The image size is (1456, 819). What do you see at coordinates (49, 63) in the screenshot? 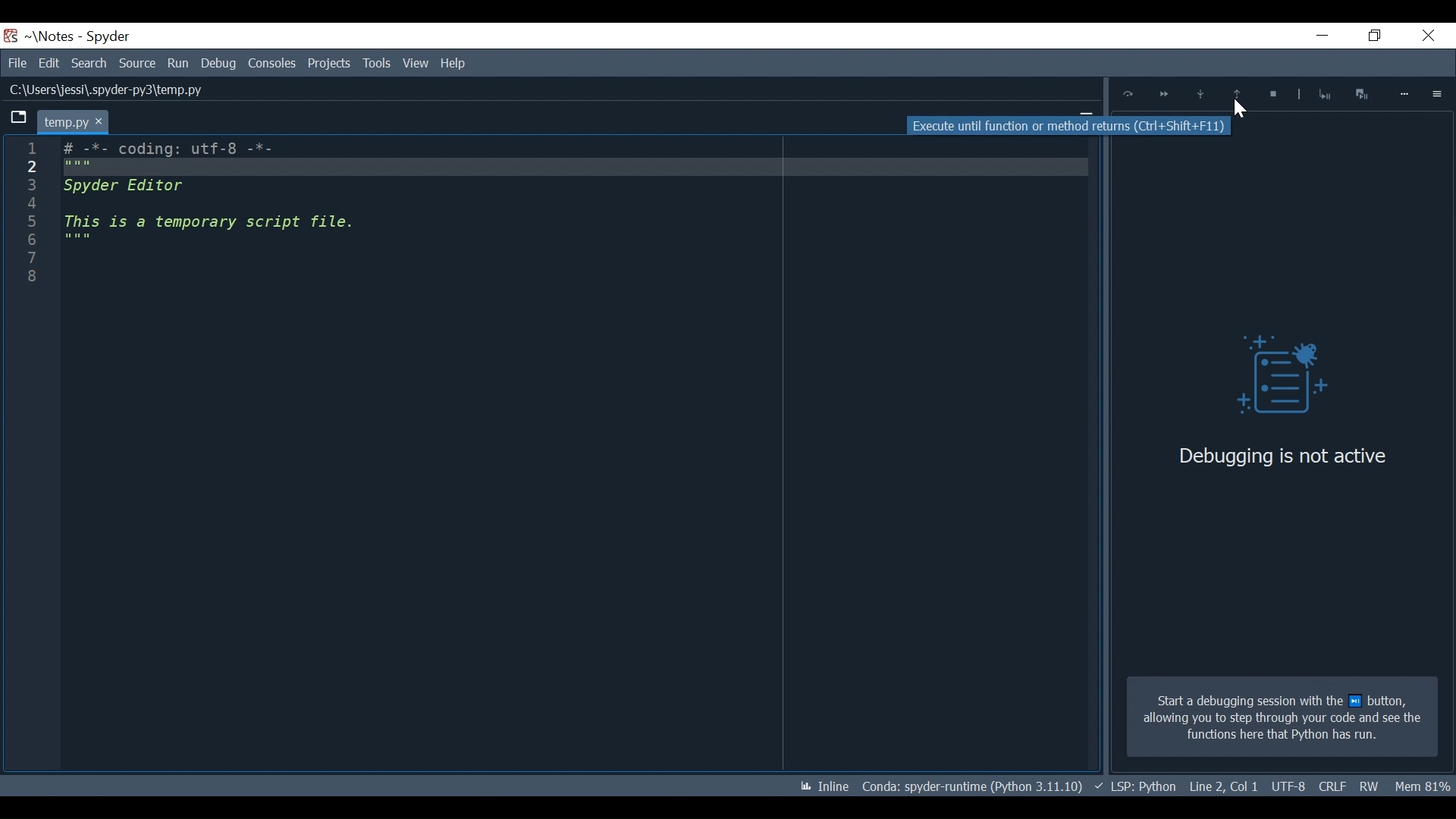
I see `Edit` at bounding box center [49, 63].